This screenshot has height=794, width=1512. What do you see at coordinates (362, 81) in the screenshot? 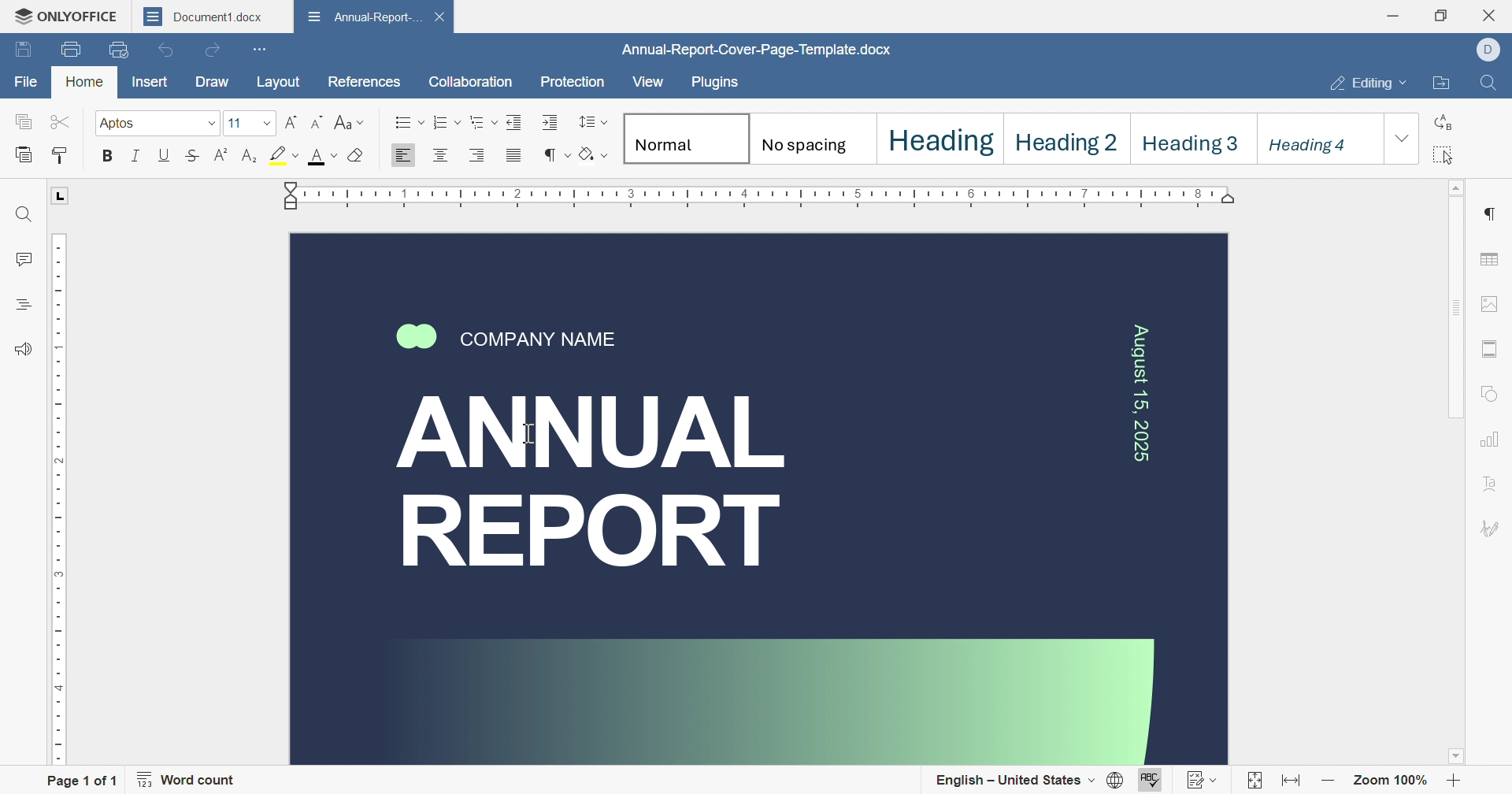
I see `references` at bounding box center [362, 81].